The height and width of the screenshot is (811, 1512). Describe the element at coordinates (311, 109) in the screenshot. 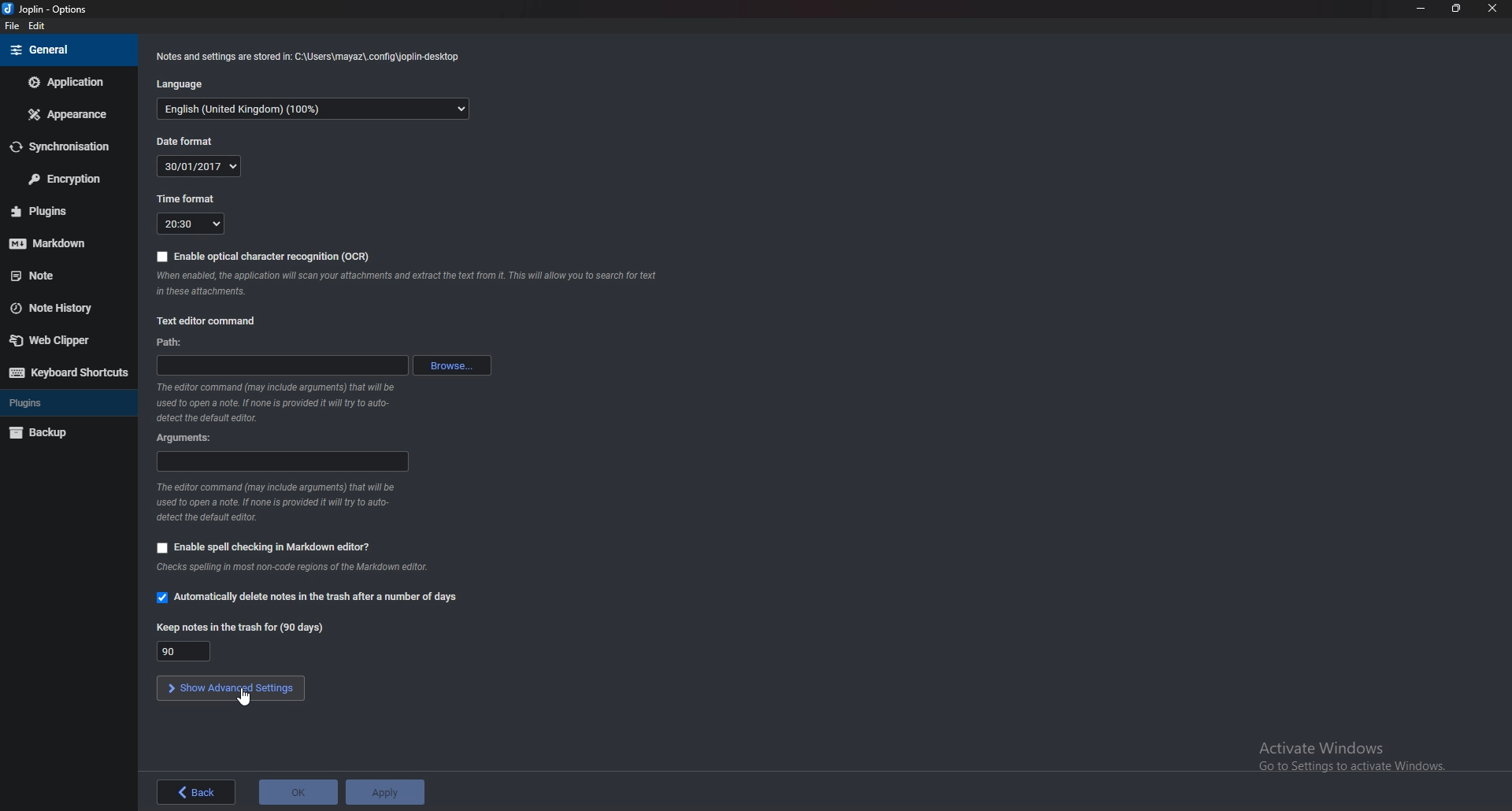

I see `English` at that location.